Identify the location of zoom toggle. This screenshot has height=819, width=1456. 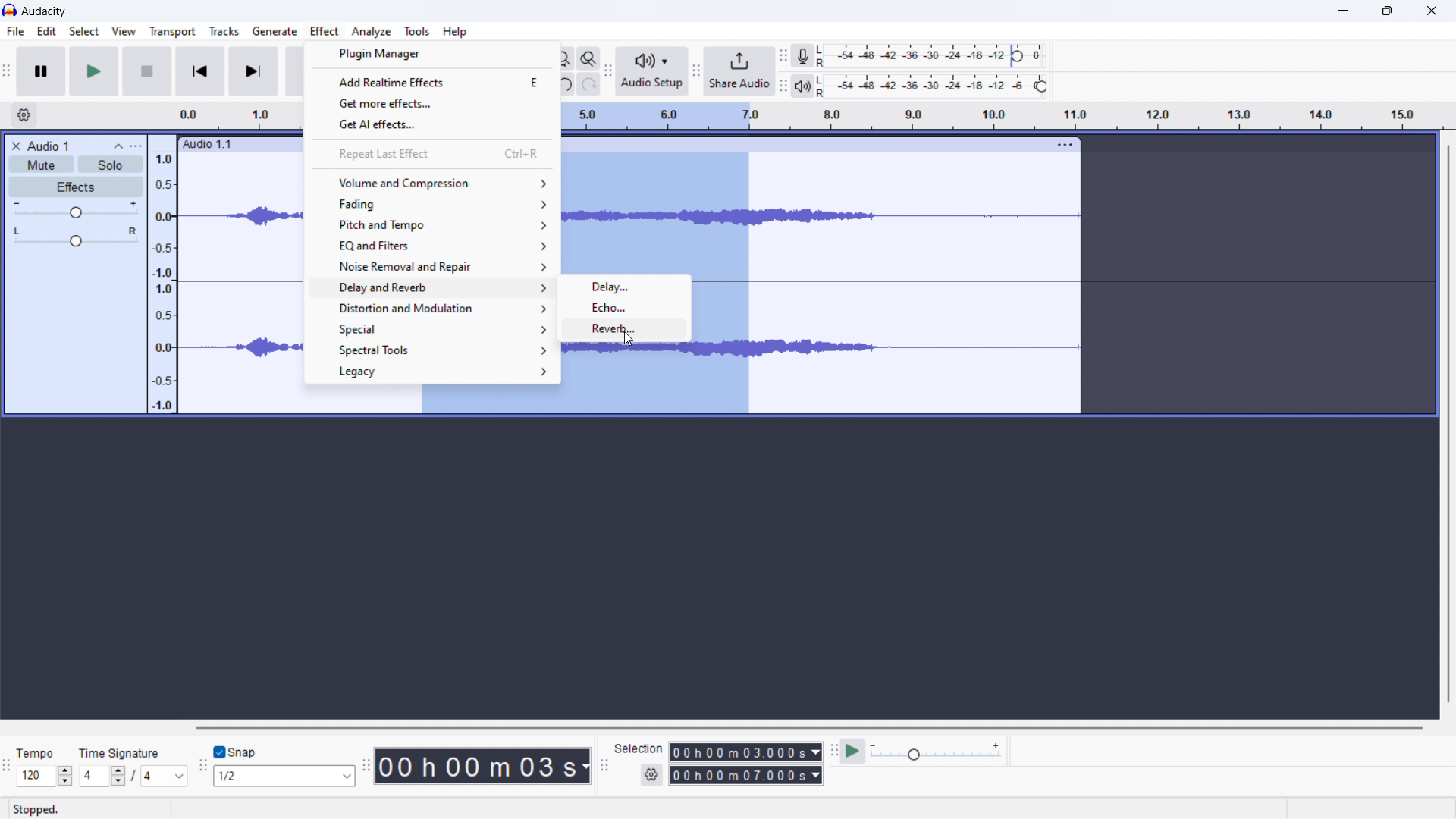
(589, 58).